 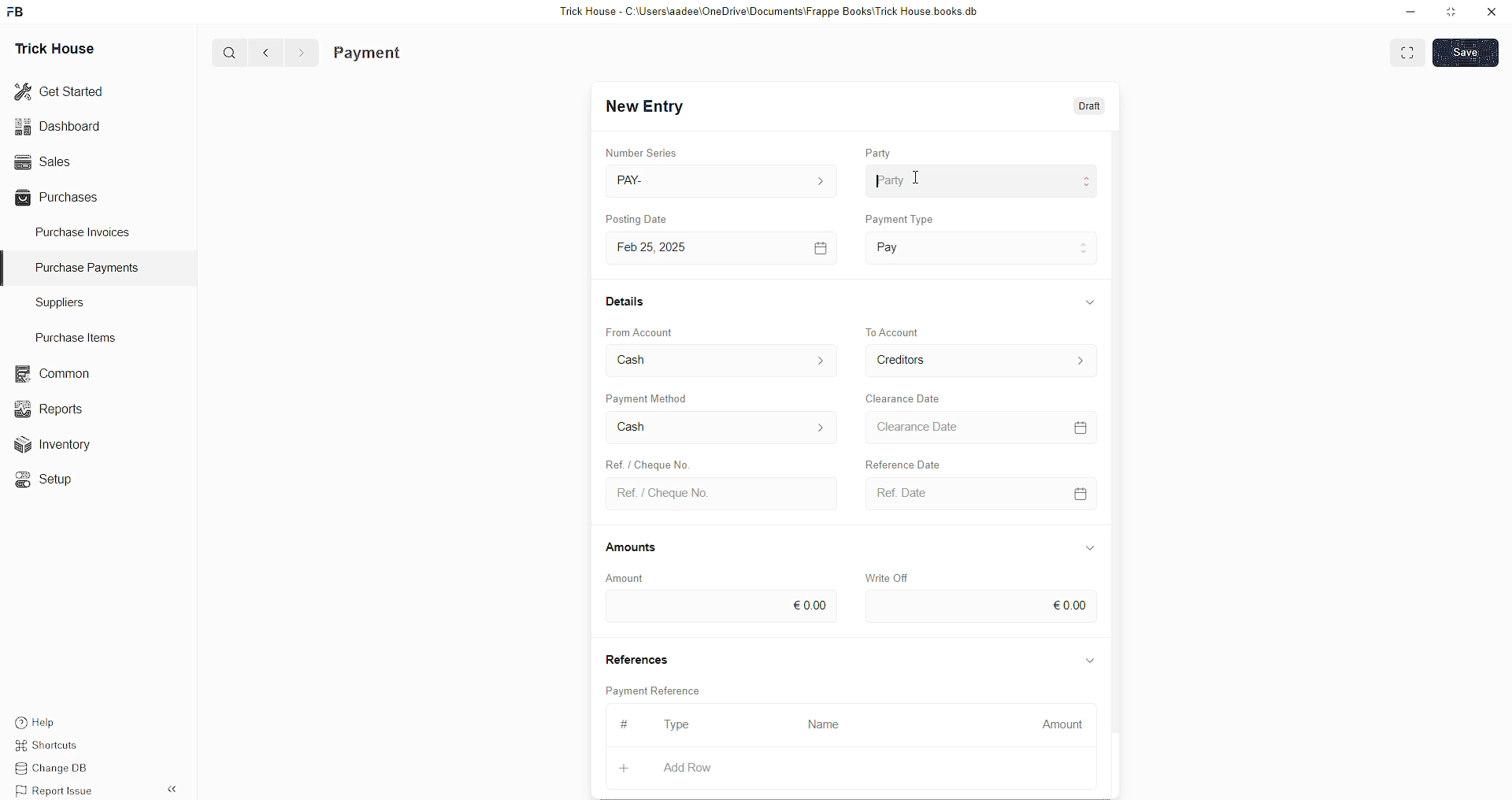 I want to click on CALENDER, so click(x=1080, y=492).